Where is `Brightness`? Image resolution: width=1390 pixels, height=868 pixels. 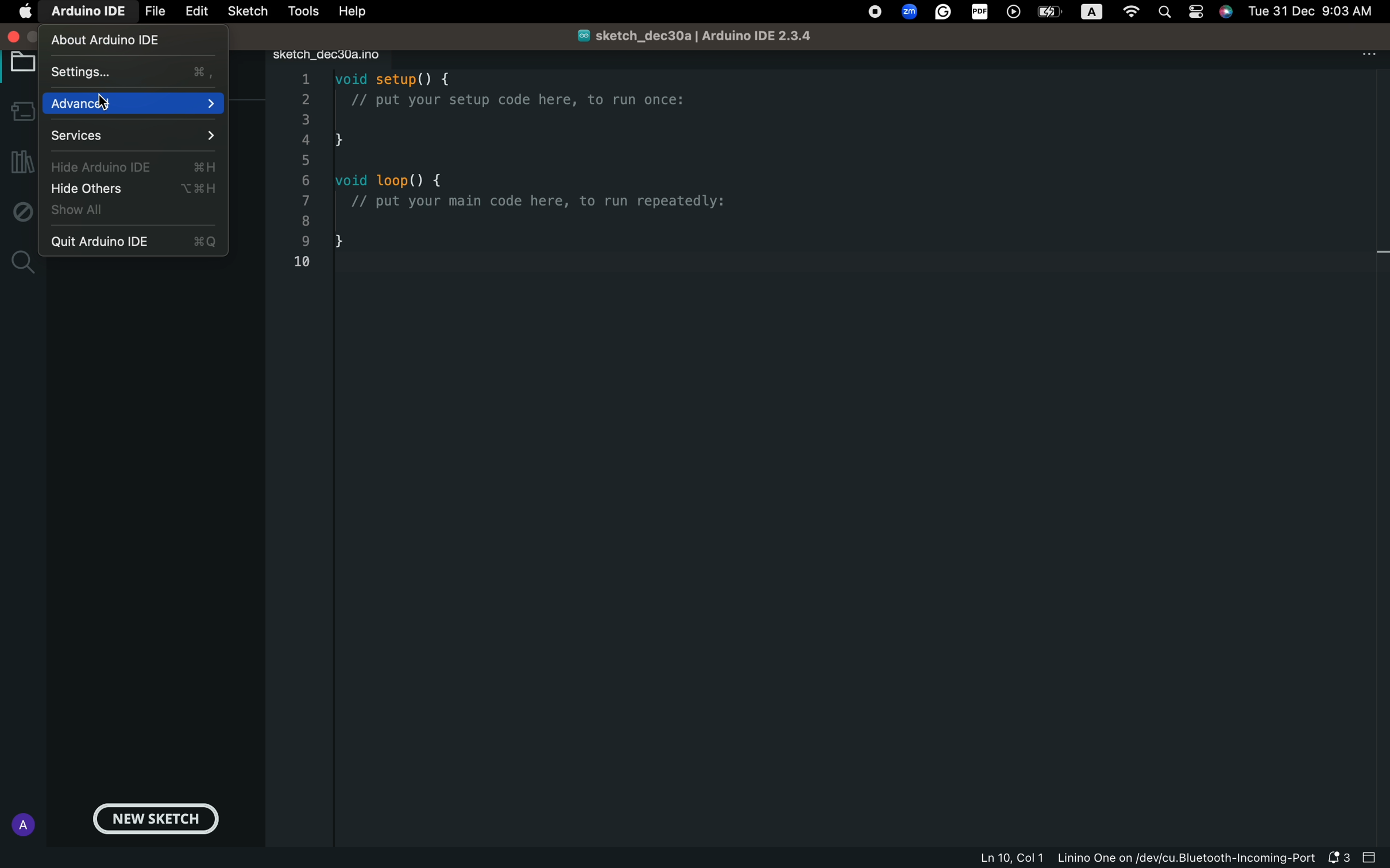 Brightness is located at coordinates (1095, 13).